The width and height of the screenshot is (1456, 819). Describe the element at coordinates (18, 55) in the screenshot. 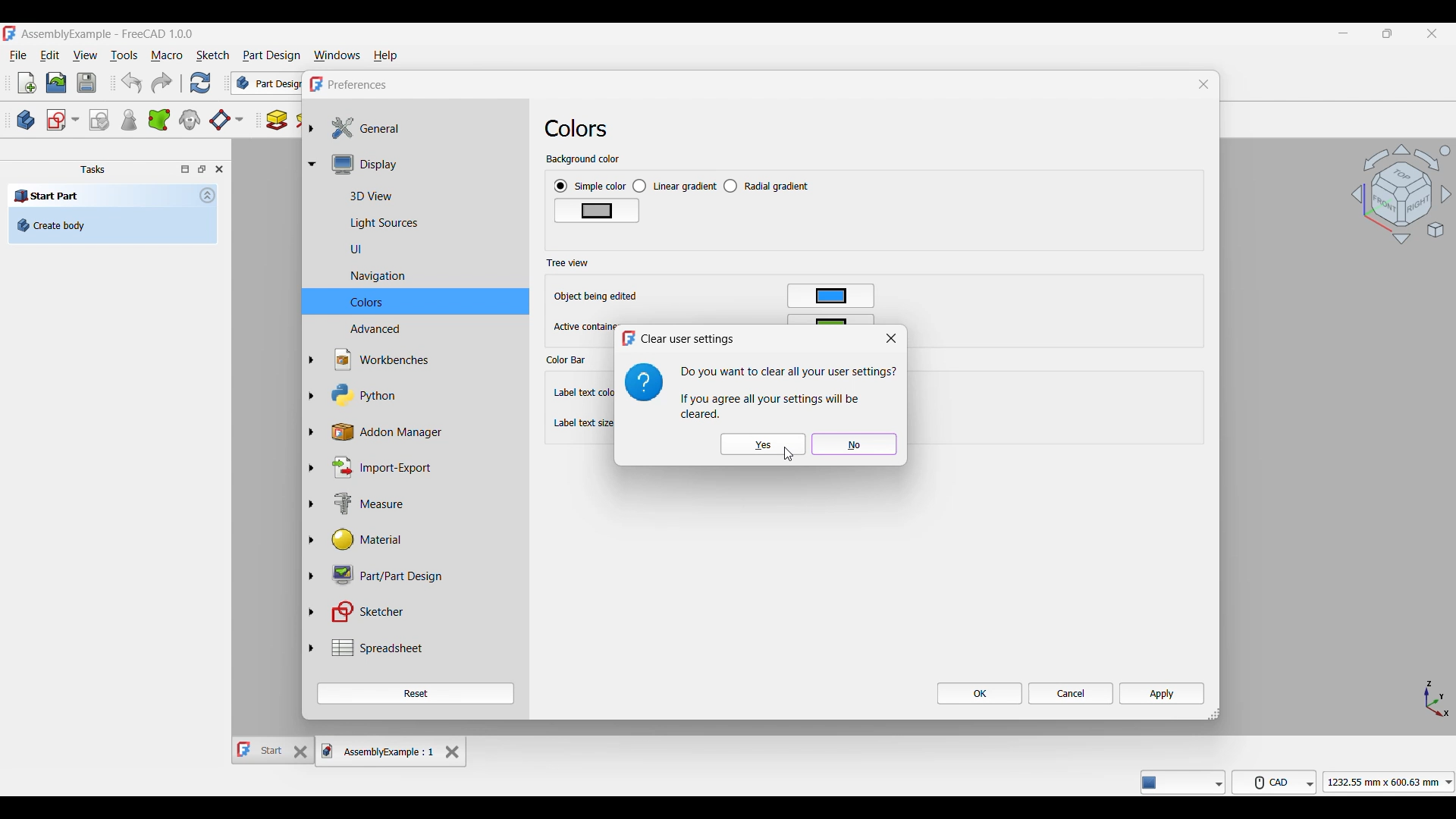

I see `File menu` at that location.